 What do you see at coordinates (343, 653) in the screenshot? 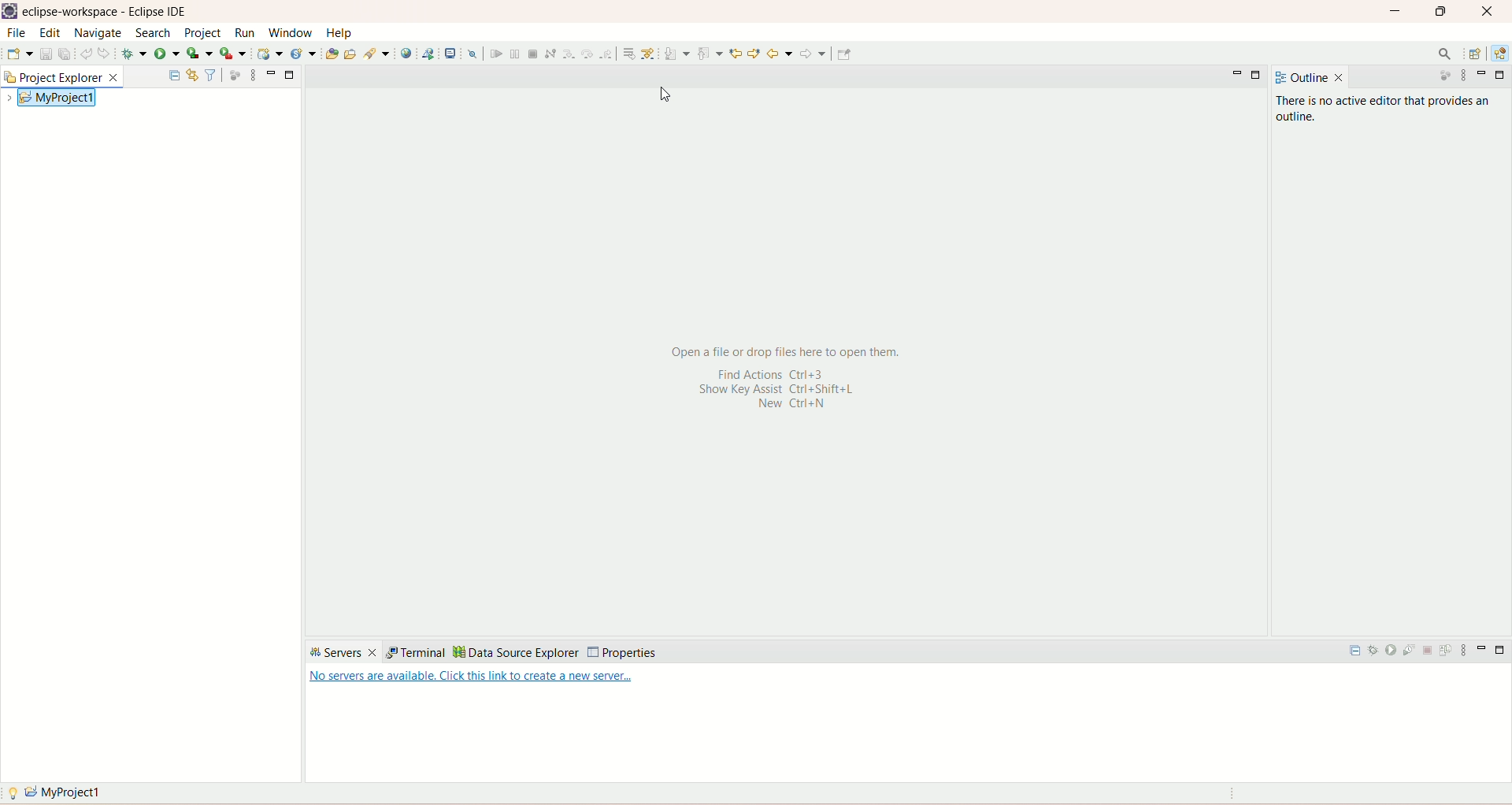
I see `servers` at bounding box center [343, 653].